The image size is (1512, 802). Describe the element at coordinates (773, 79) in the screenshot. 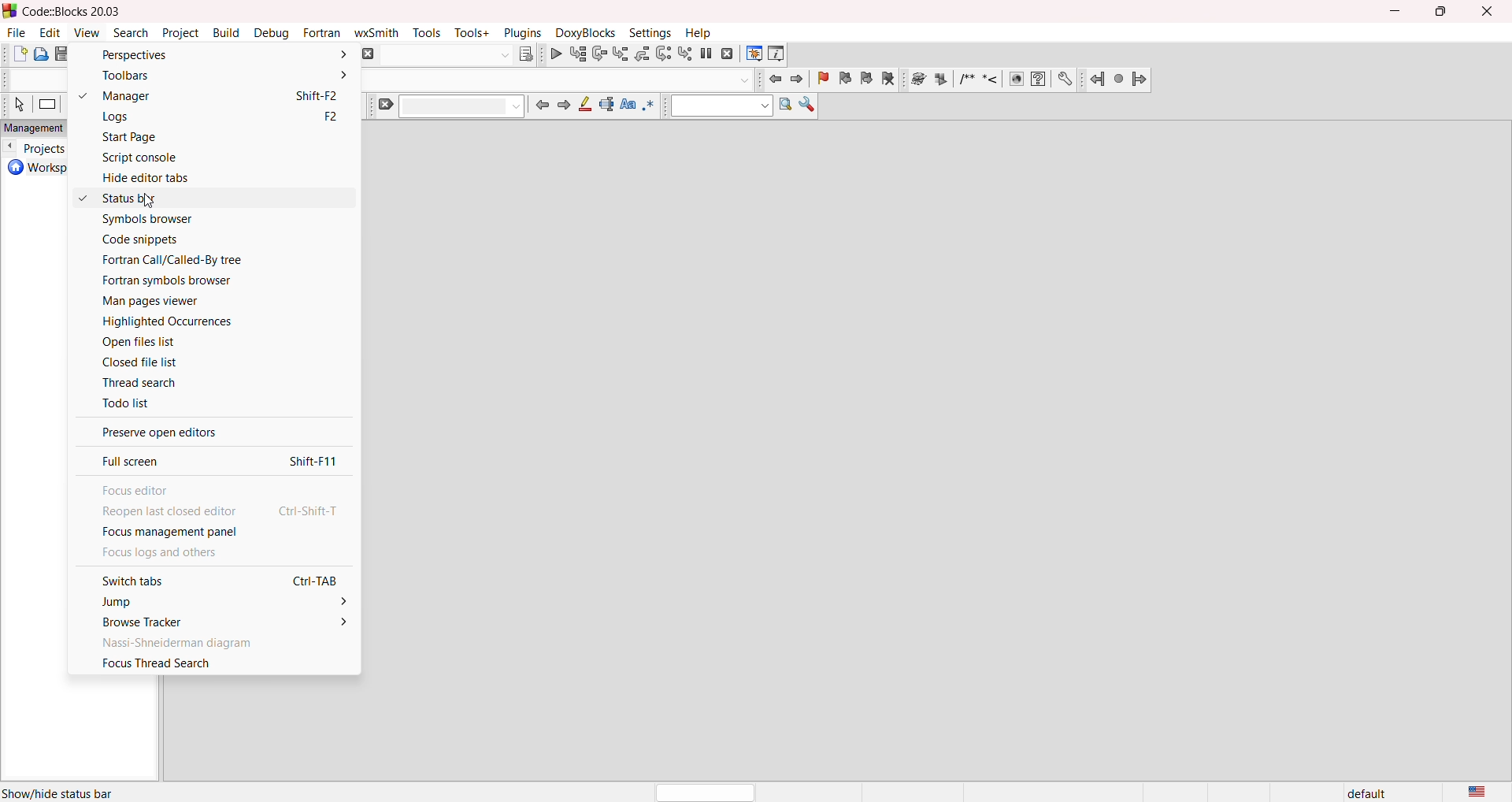

I see `jump to front` at that location.